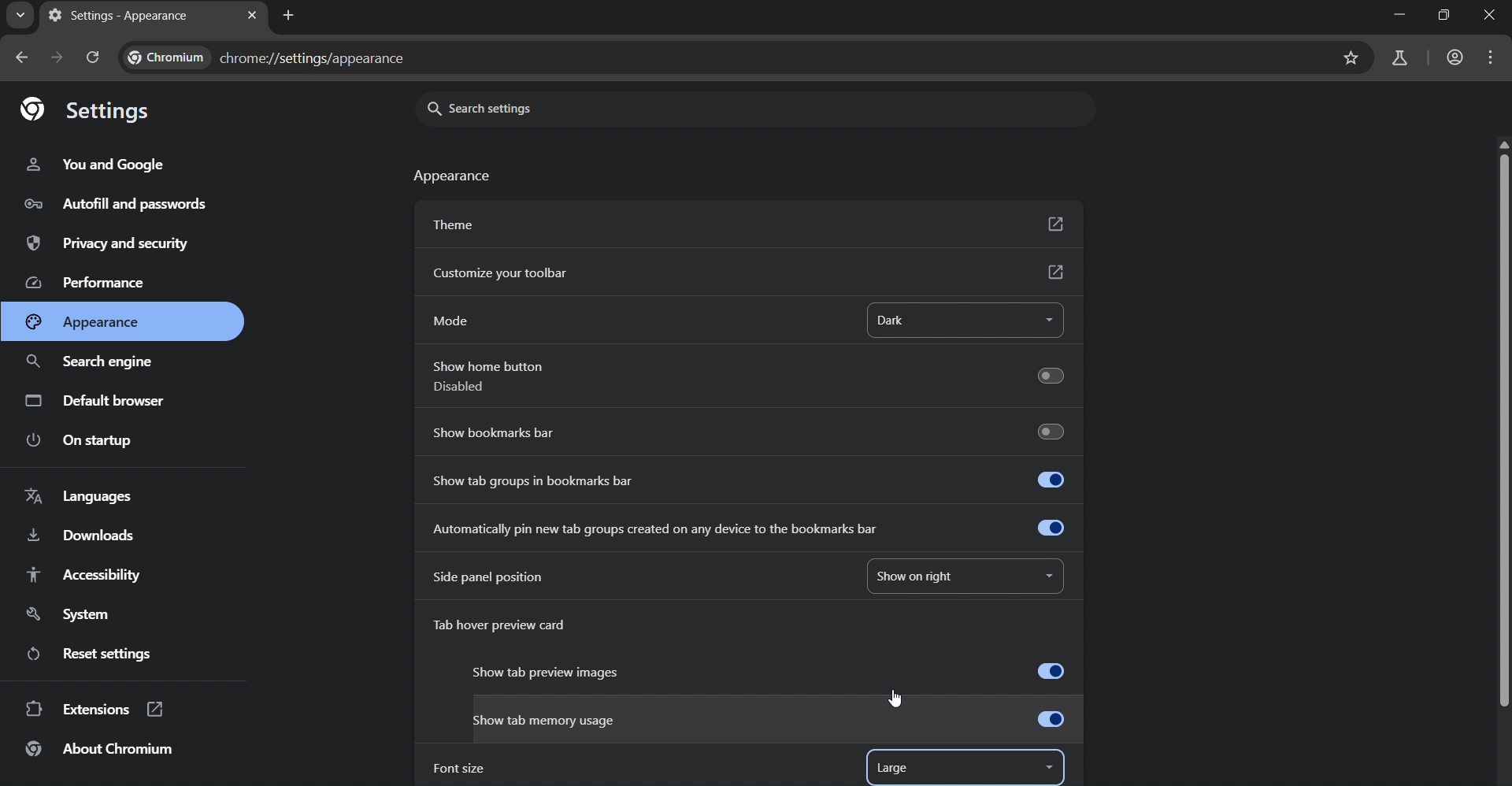  Describe the element at coordinates (119, 15) in the screenshot. I see `currenttab` at that location.